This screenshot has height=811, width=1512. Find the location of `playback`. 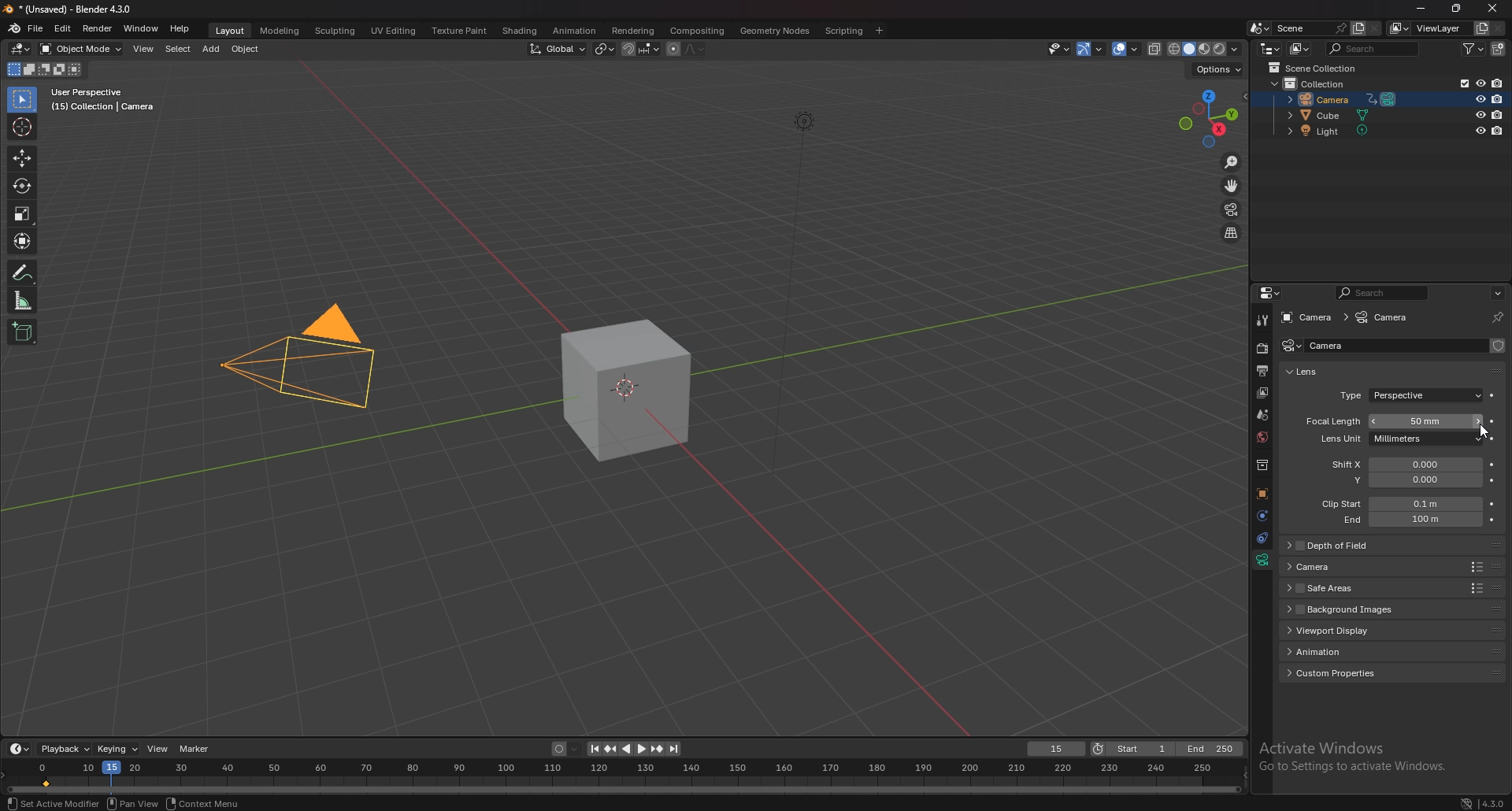

playback is located at coordinates (64, 749).